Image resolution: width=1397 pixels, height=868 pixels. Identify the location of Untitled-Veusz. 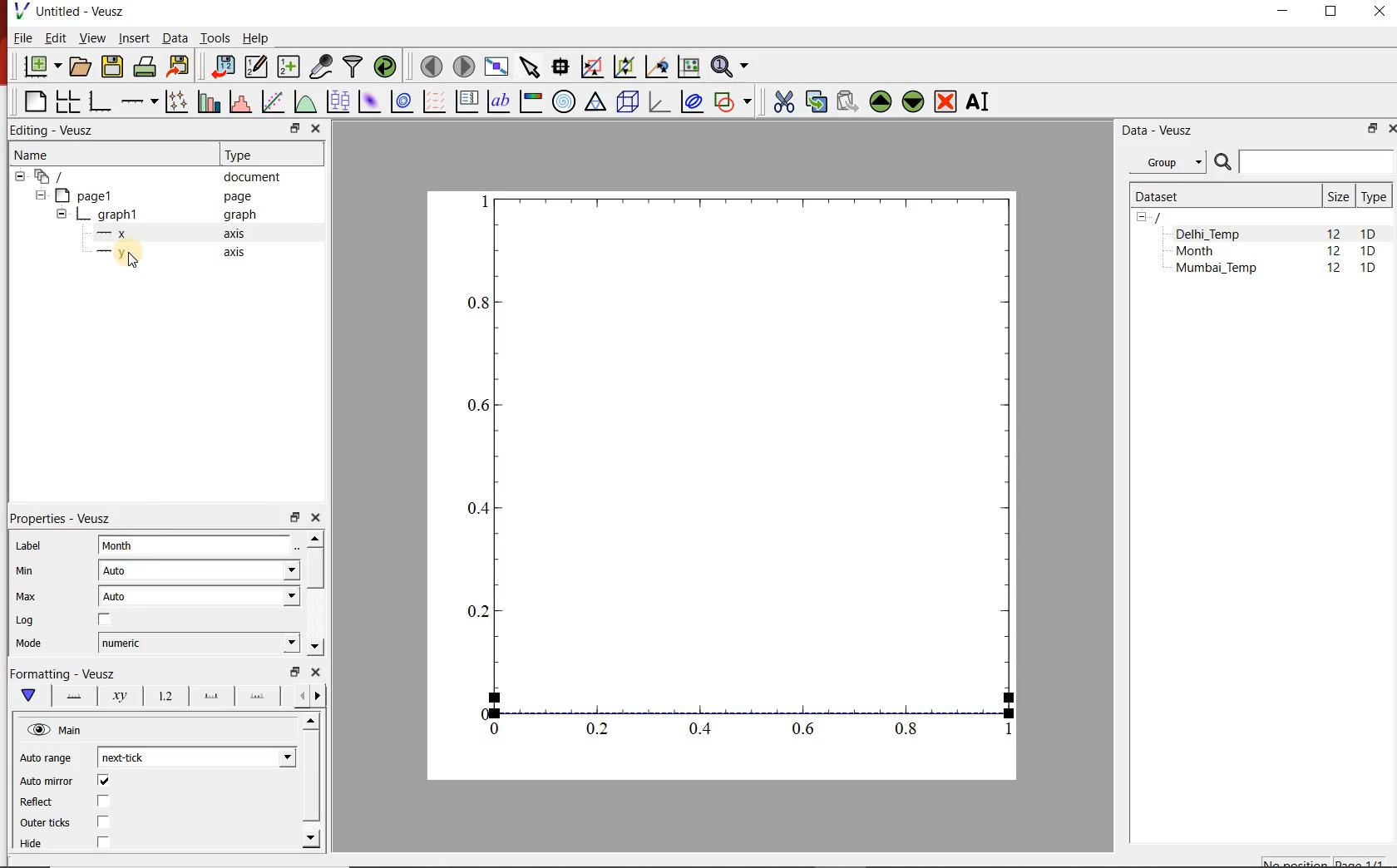
(74, 11).